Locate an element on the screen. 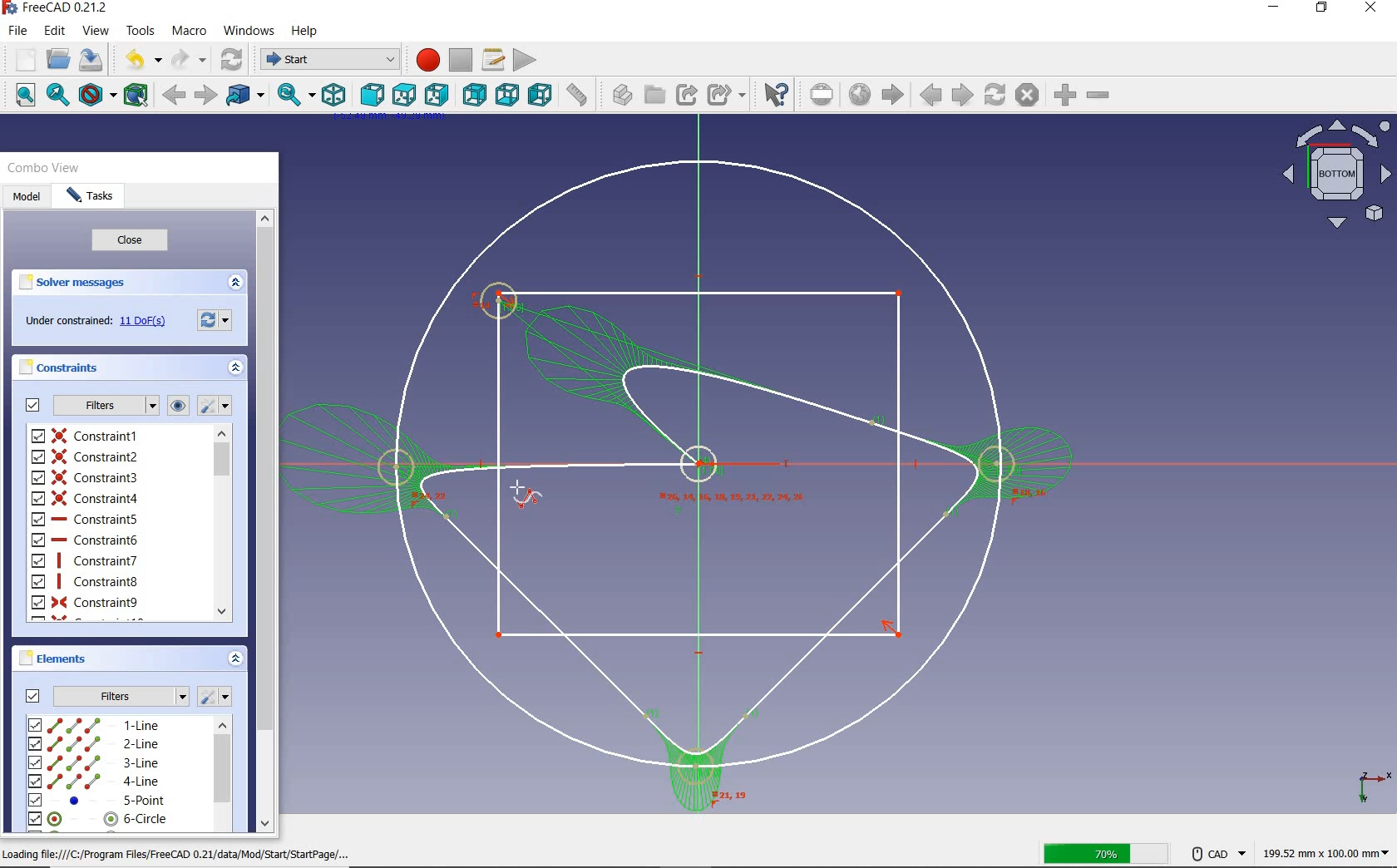  create part is located at coordinates (618, 94).